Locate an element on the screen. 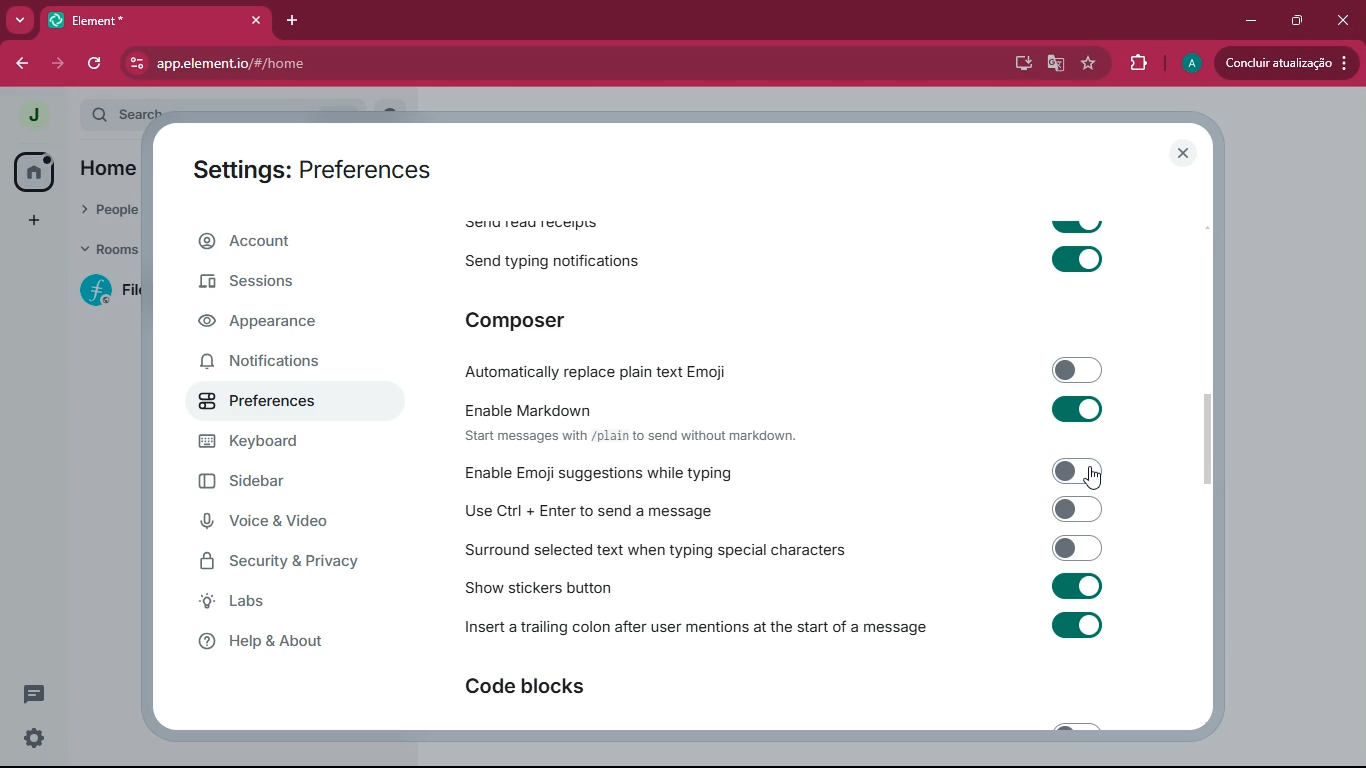 The width and height of the screenshot is (1366, 768). preferences is located at coordinates (274, 405).